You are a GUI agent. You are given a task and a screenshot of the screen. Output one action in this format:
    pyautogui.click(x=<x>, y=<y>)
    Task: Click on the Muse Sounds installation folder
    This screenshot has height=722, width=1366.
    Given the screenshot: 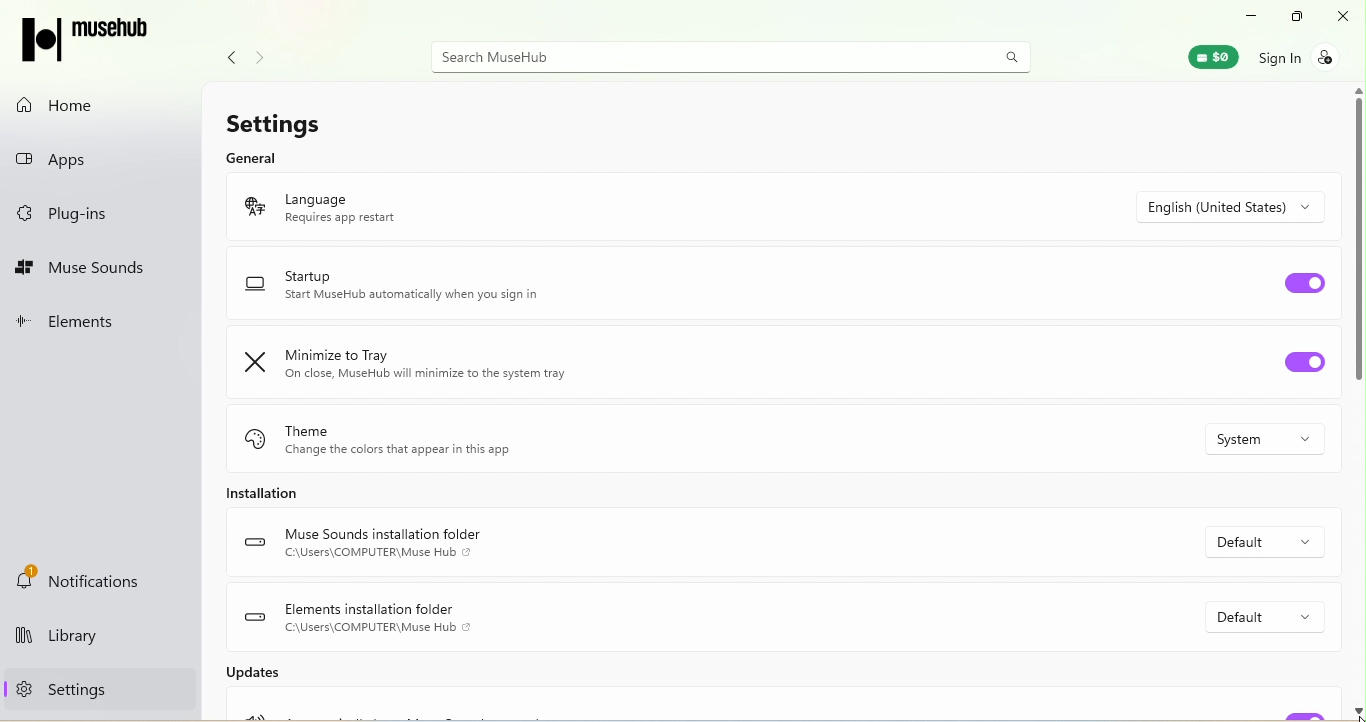 What is the action you would take?
    pyautogui.click(x=382, y=535)
    